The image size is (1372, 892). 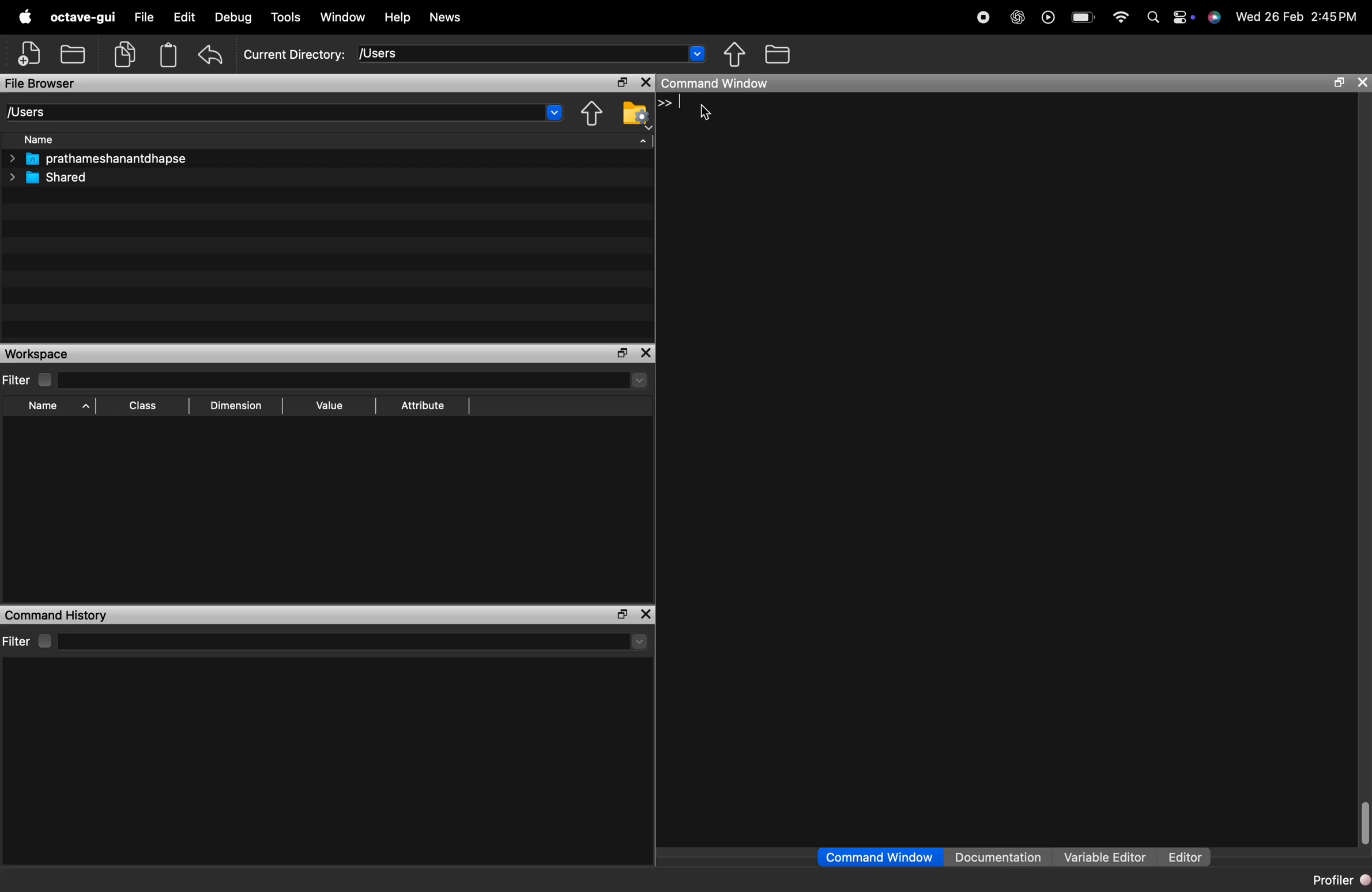 What do you see at coordinates (1181, 14) in the screenshot?
I see `settings` at bounding box center [1181, 14].